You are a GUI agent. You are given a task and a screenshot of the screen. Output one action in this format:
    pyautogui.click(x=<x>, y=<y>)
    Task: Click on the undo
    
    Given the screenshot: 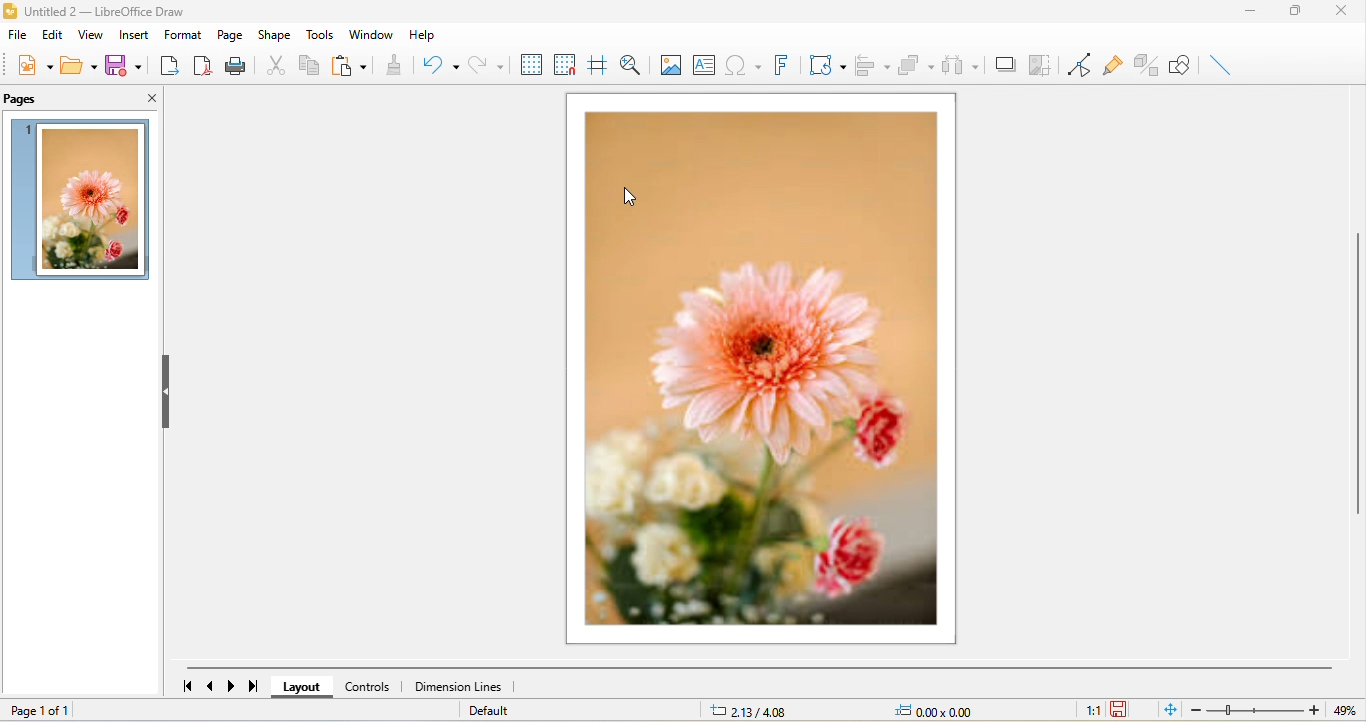 What is the action you would take?
    pyautogui.click(x=435, y=64)
    